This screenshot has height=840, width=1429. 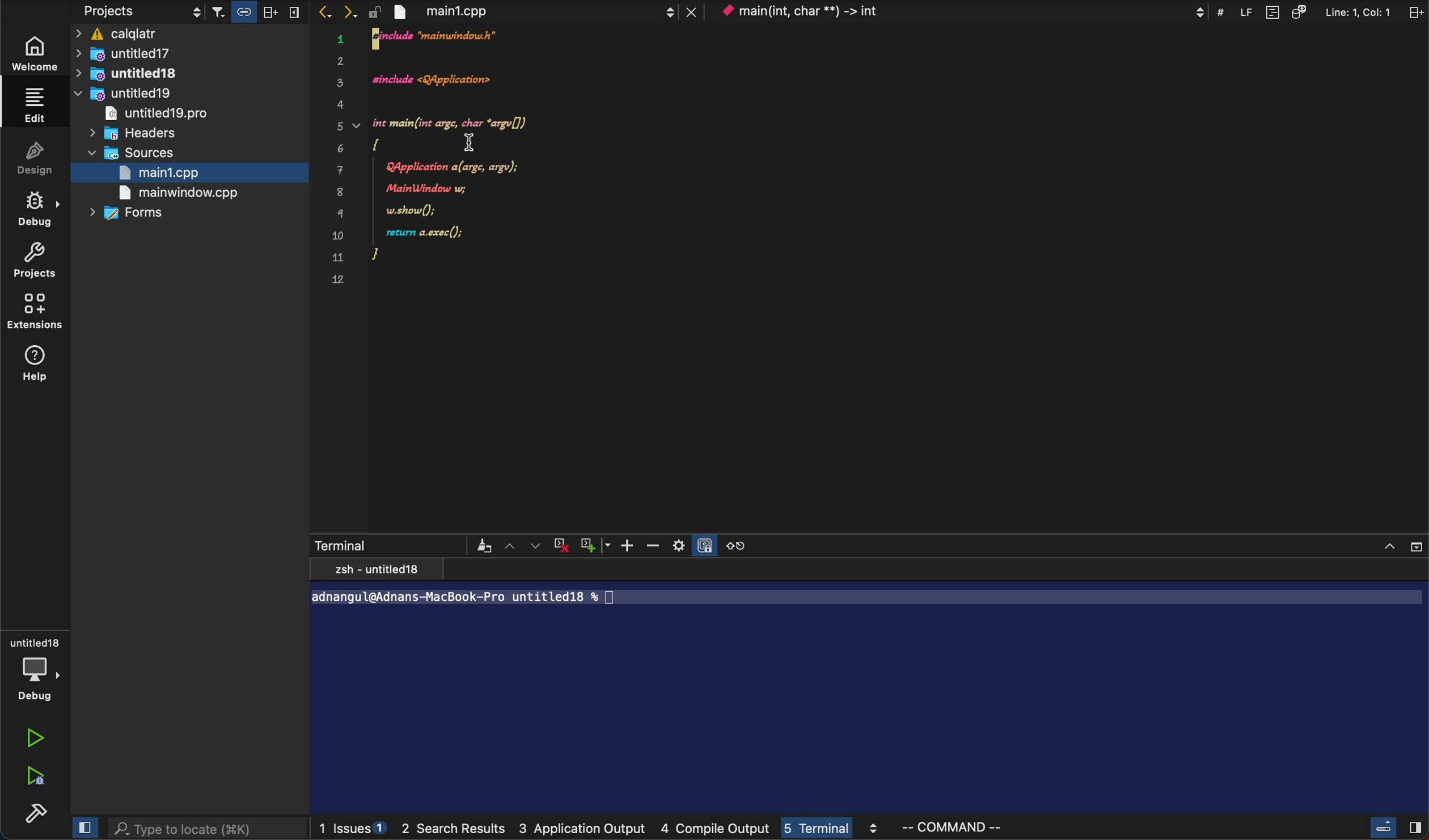 What do you see at coordinates (597, 545) in the screenshot?
I see `plus` at bounding box center [597, 545].